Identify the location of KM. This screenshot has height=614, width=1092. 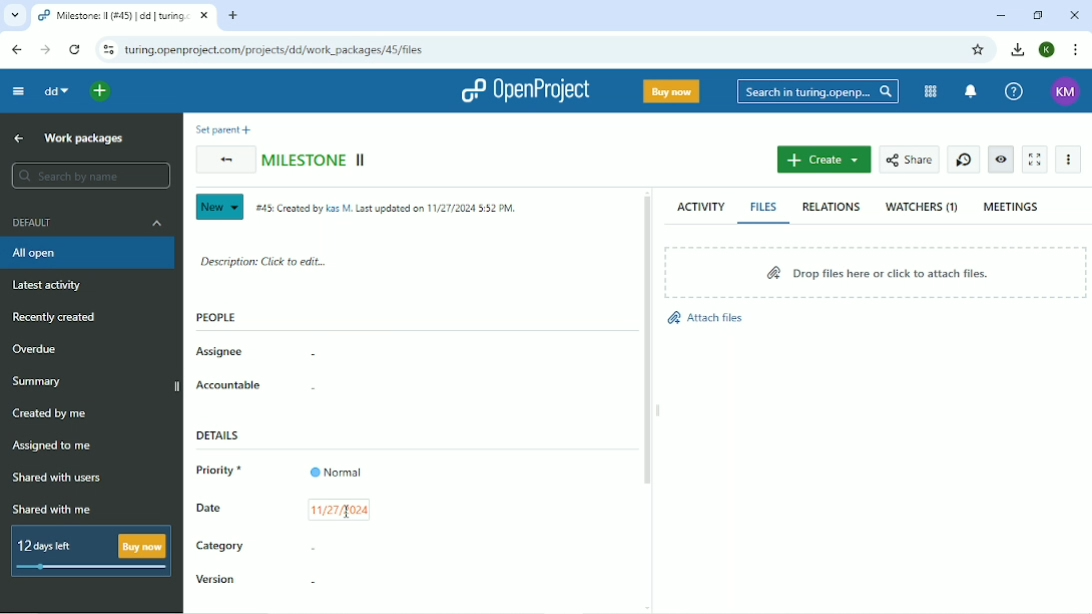
(1067, 91).